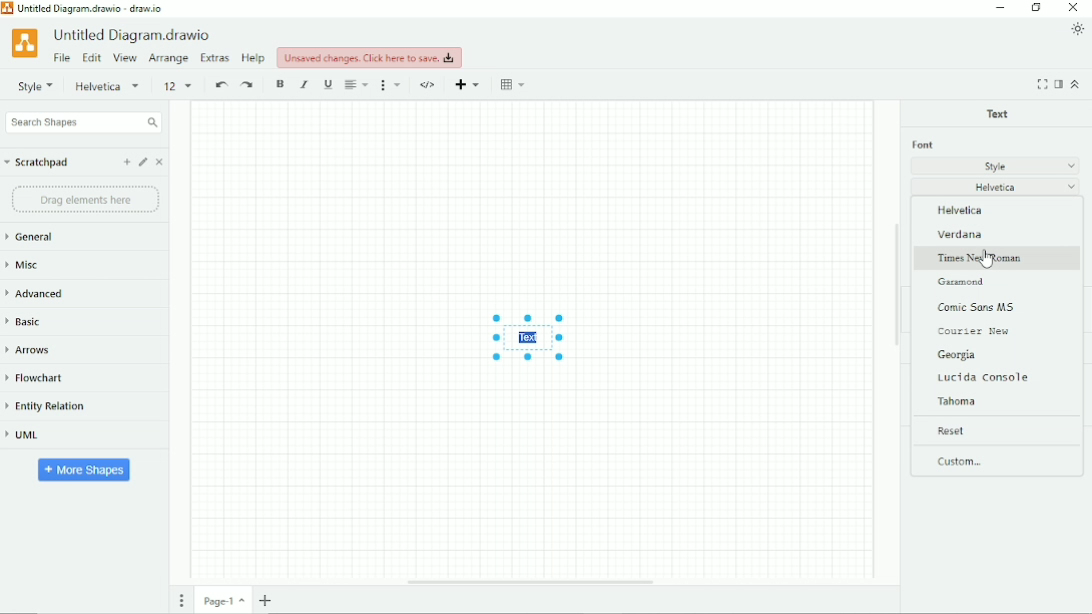 Image resolution: width=1092 pixels, height=614 pixels. I want to click on Helvetica, so click(997, 187).